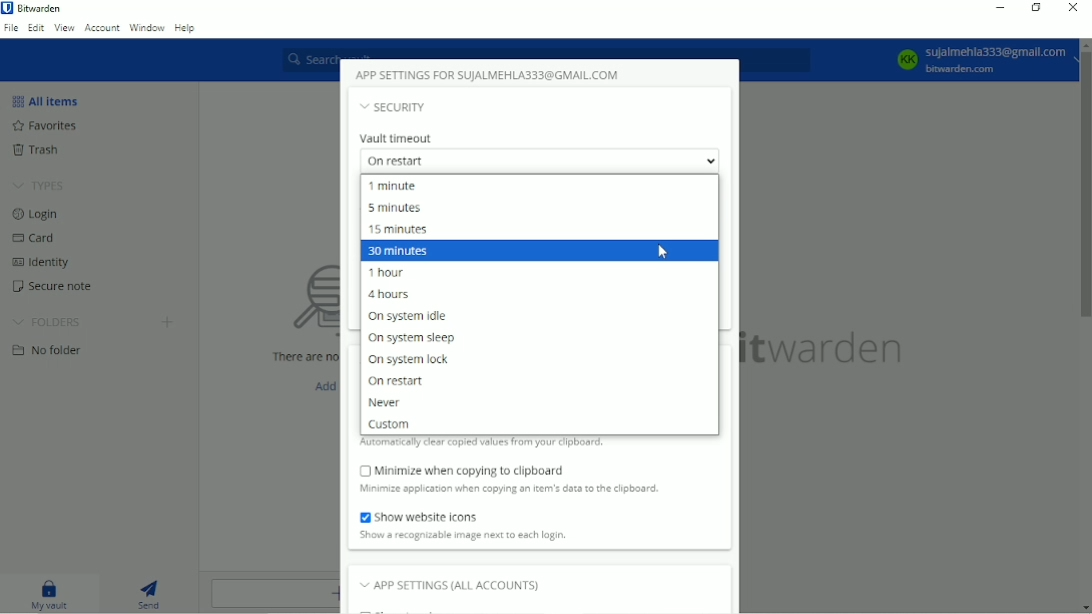 This screenshot has height=614, width=1092. I want to click on All items, so click(47, 100).